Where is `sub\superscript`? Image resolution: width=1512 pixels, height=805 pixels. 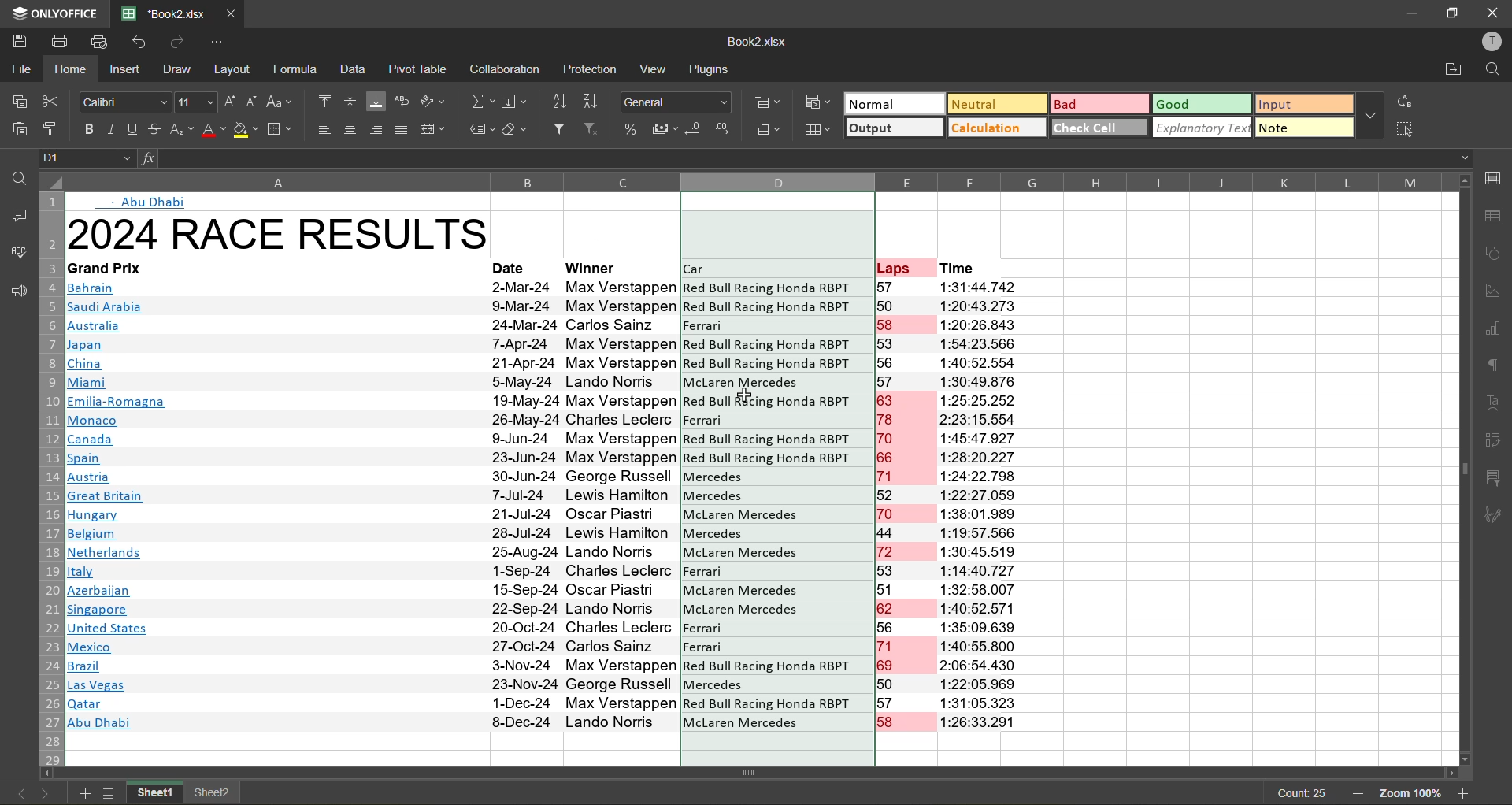 sub\superscript is located at coordinates (182, 128).